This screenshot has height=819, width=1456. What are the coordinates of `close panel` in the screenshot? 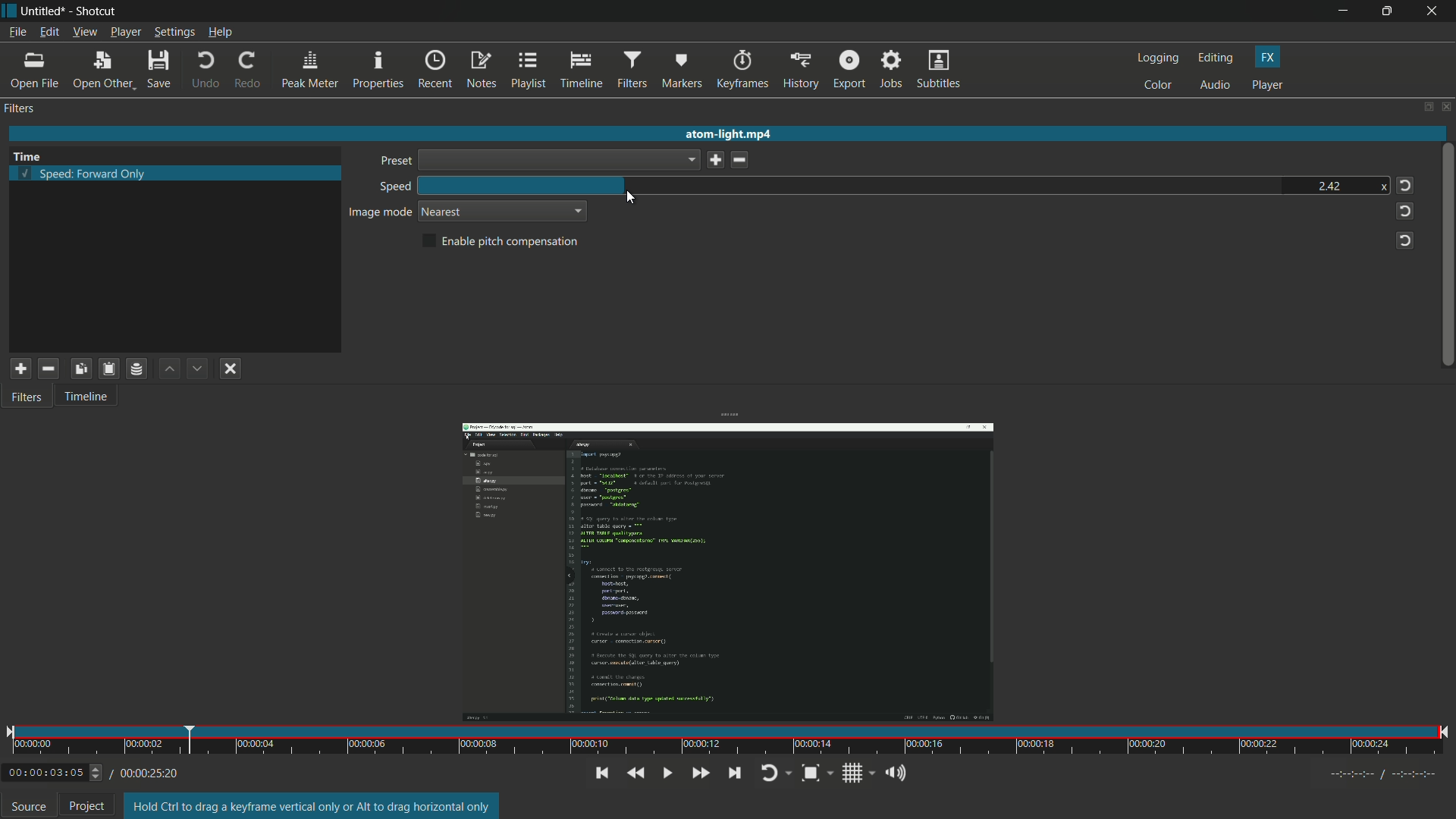 It's located at (1447, 106).